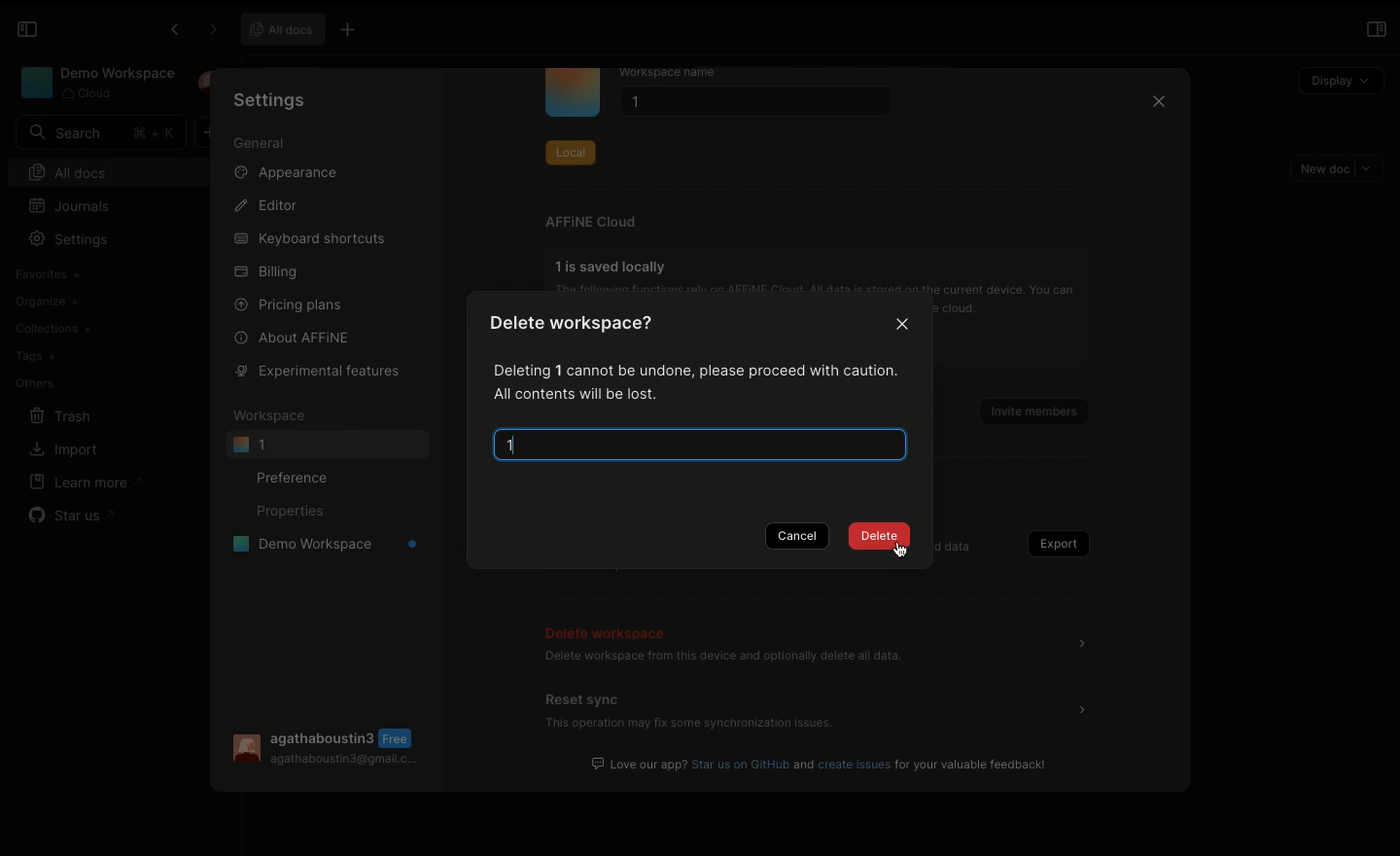 The height and width of the screenshot is (856, 1400). I want to click on About AFFINE, so click(294, 337).